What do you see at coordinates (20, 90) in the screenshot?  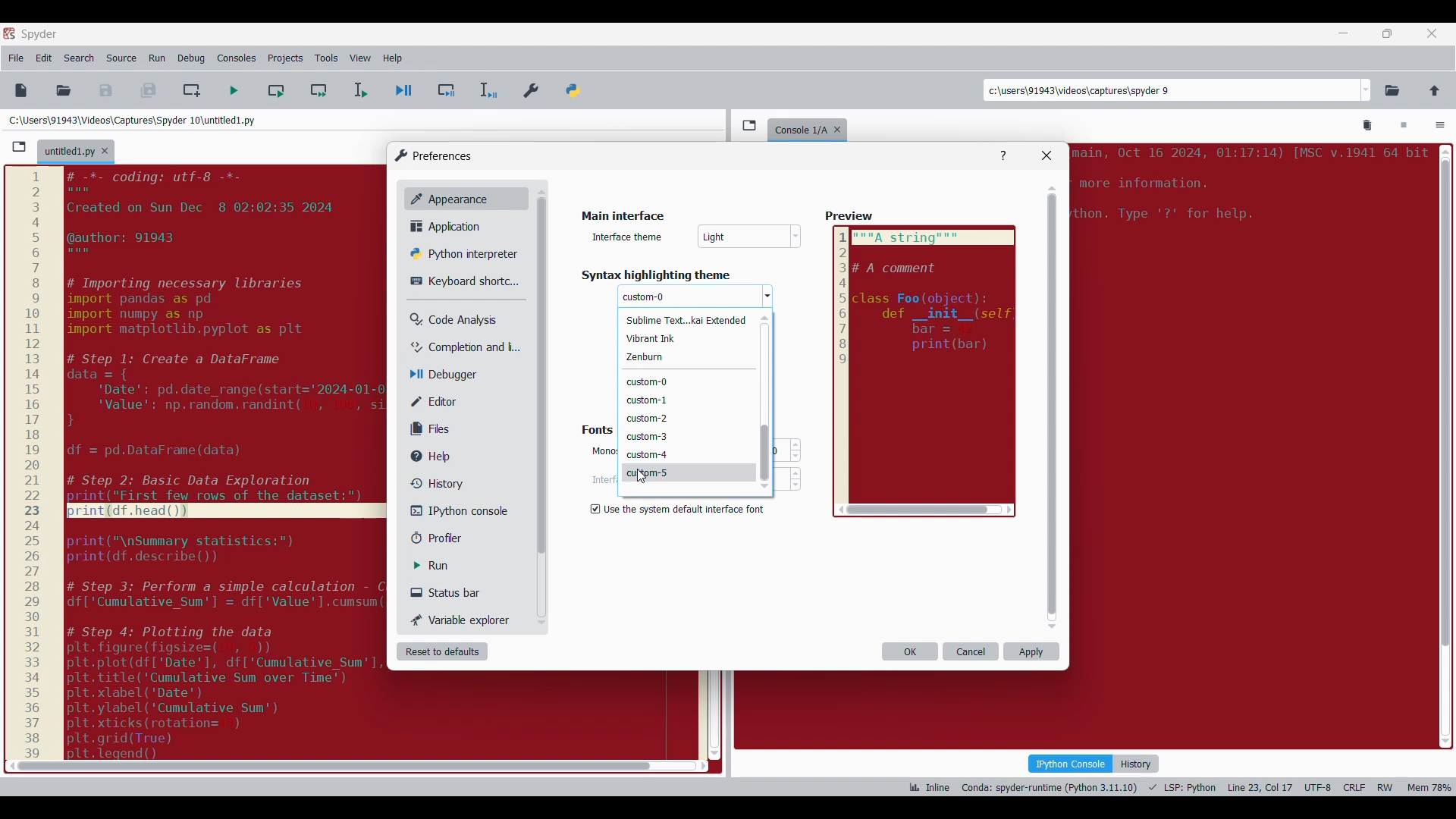 I see `New file` at bounding box center [20, 90].